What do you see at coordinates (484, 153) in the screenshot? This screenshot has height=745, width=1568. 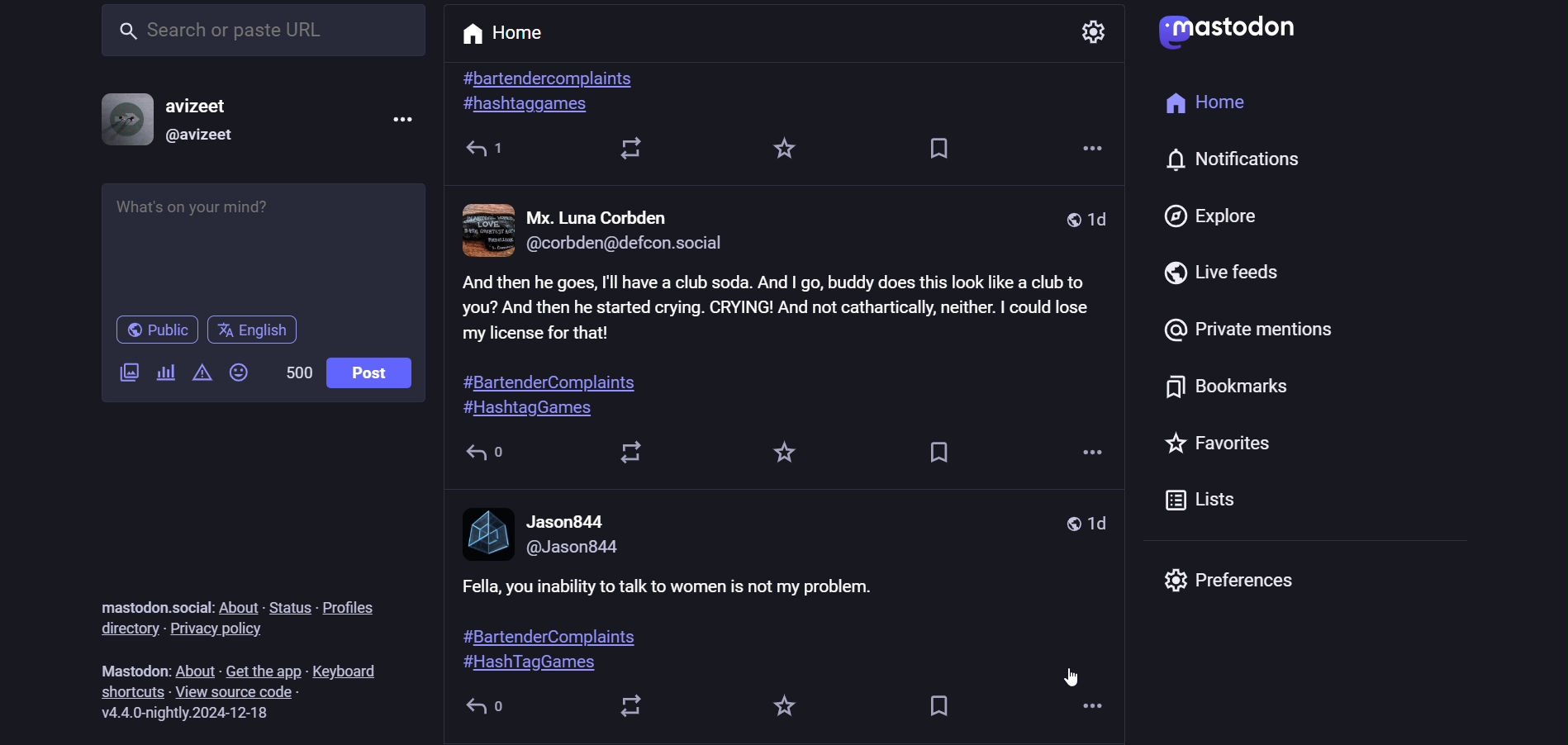 I see `replies` at bounding box center [484, 153].